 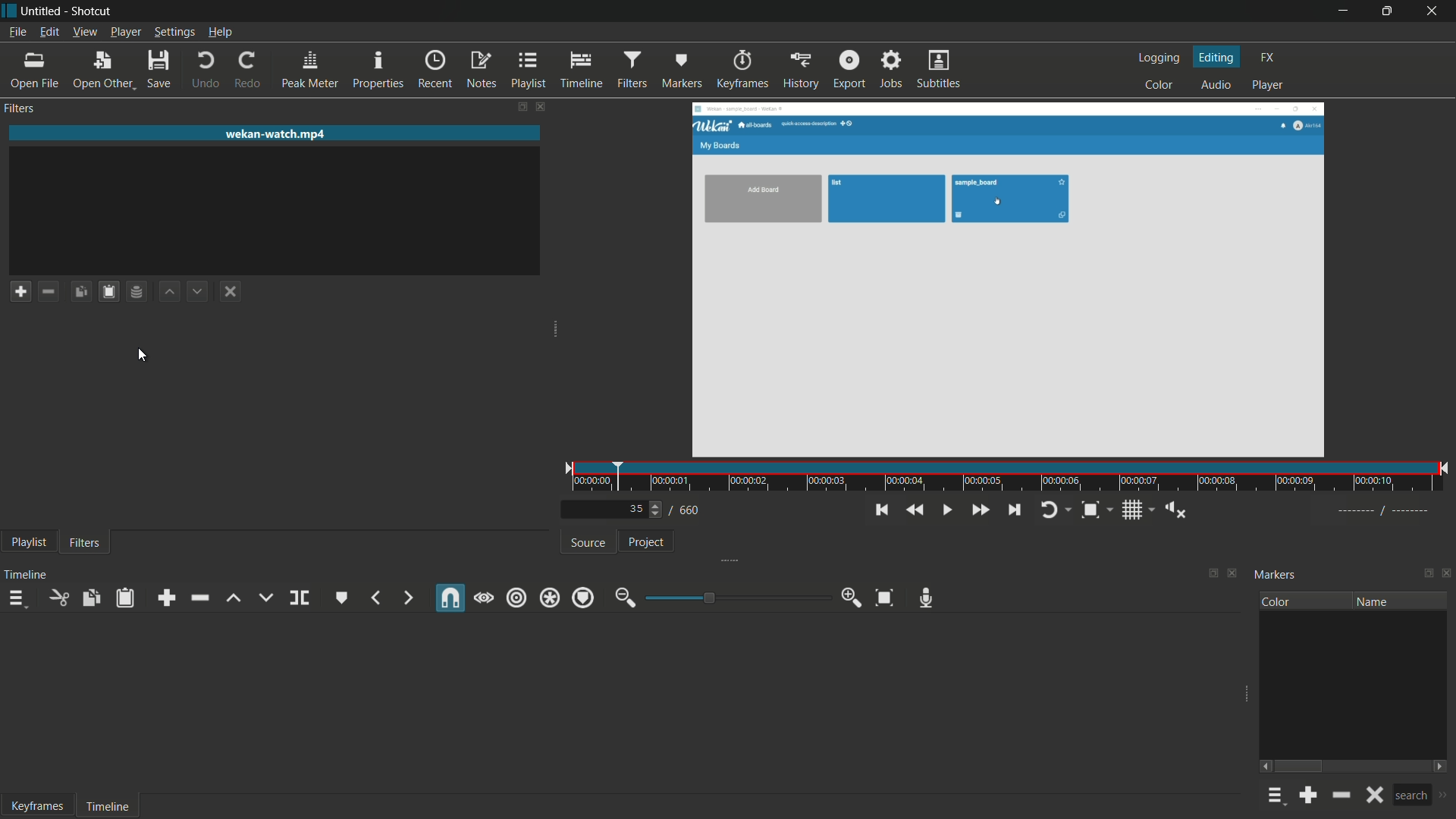 What do you see at coordinates (198, 292) in the screenshot?
I see `move filter down` at bounding box center [198, 292].